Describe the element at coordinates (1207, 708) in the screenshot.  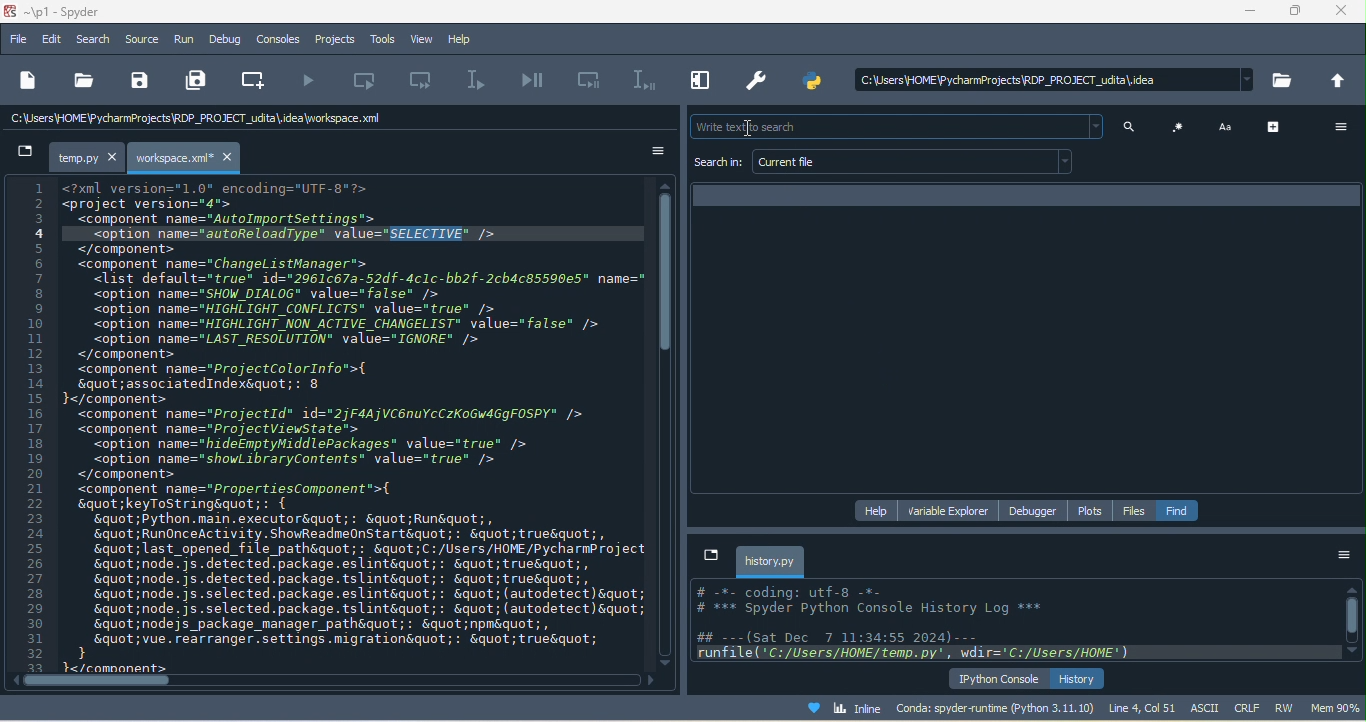
I see `ascii` at that location.